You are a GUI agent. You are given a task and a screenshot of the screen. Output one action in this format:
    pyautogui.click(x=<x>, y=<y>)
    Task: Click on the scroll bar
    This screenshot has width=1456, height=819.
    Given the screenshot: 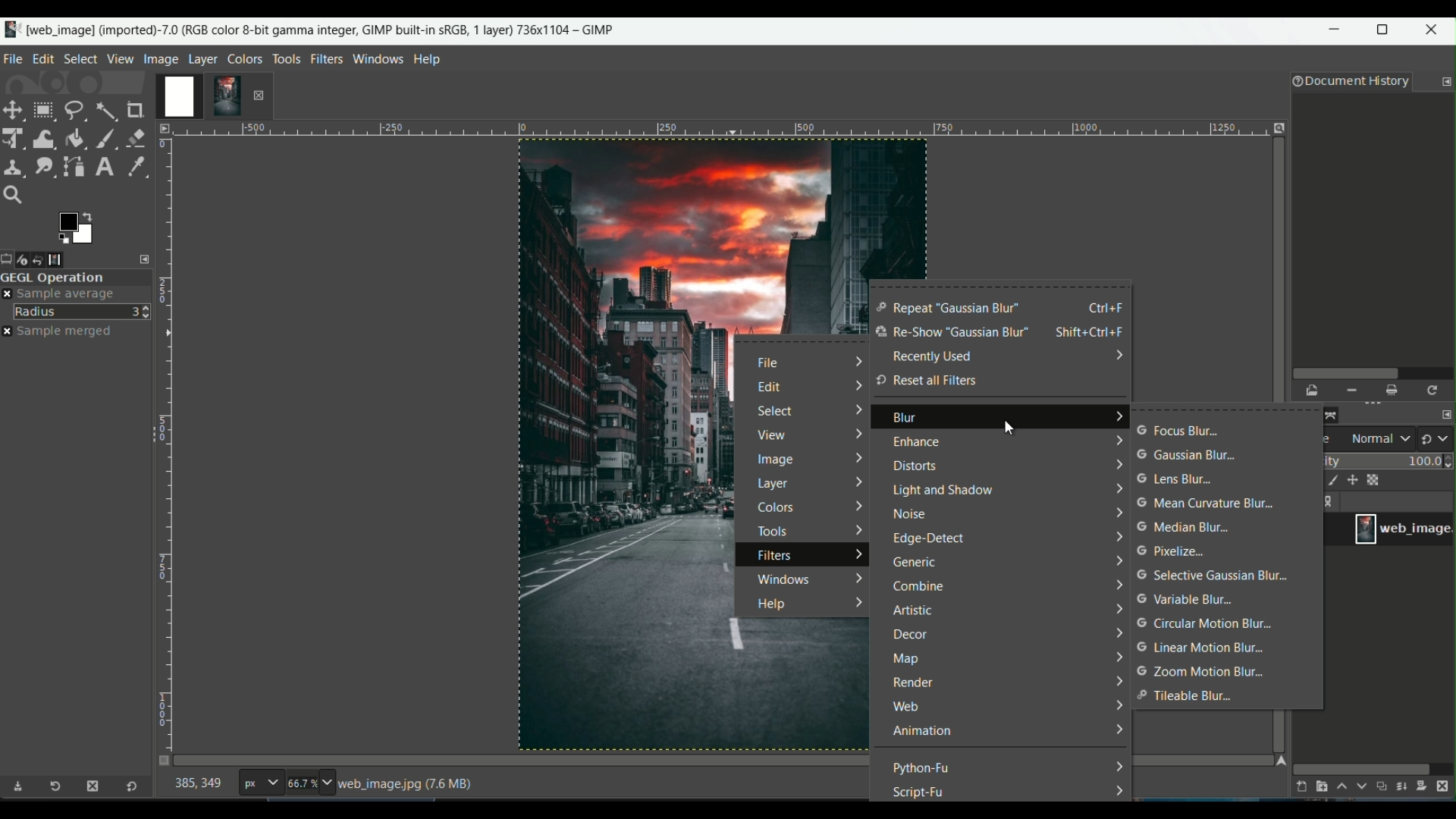 What is the action you would take?
    pyautogui.click(x=1370, y=372)
    